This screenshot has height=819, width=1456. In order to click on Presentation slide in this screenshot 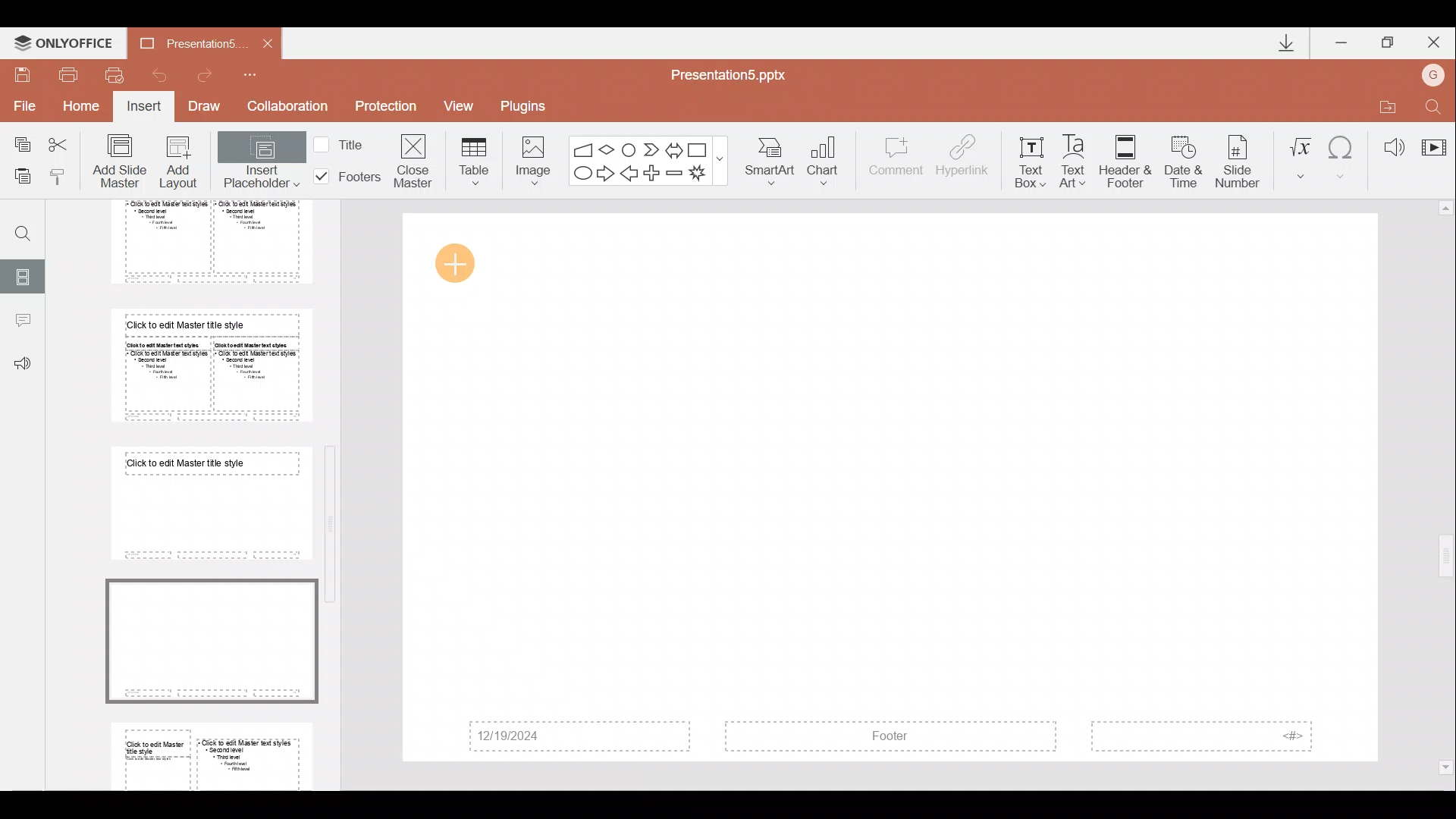, I will do `click(892, 488)`.